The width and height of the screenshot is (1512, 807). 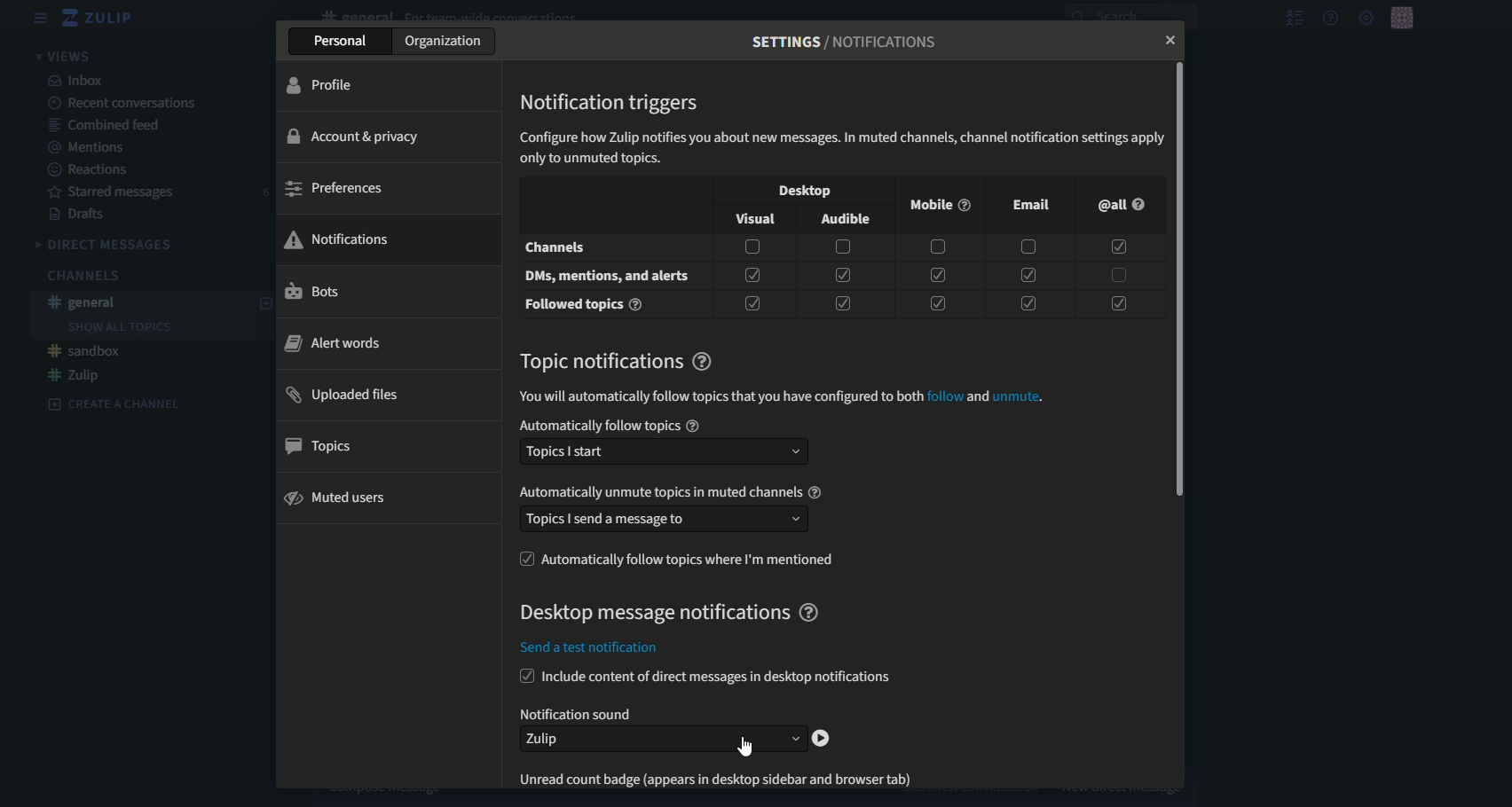 I want to click on uploaded files, so click(x=346, y=396).